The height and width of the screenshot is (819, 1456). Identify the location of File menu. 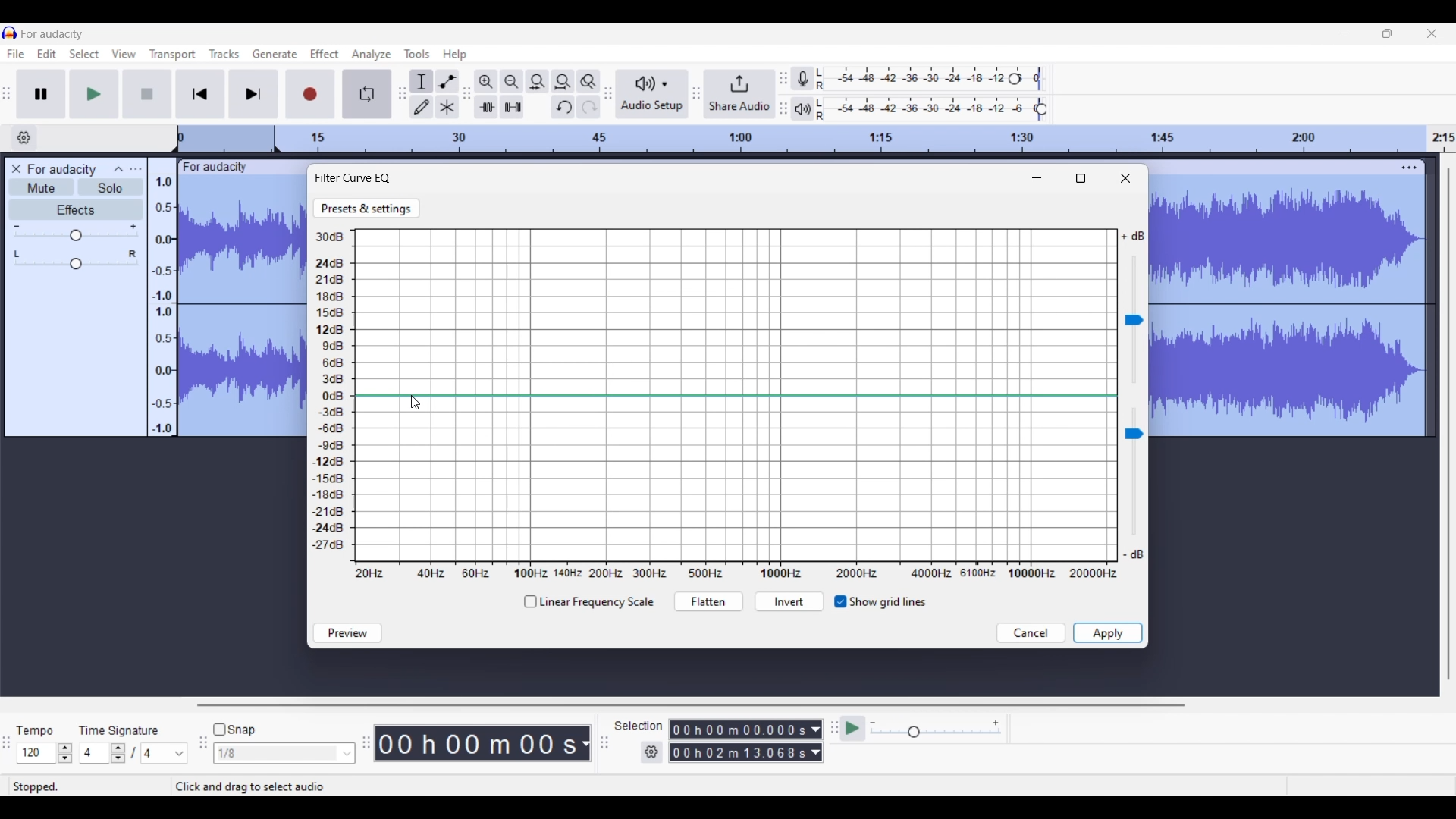
(15, 55).